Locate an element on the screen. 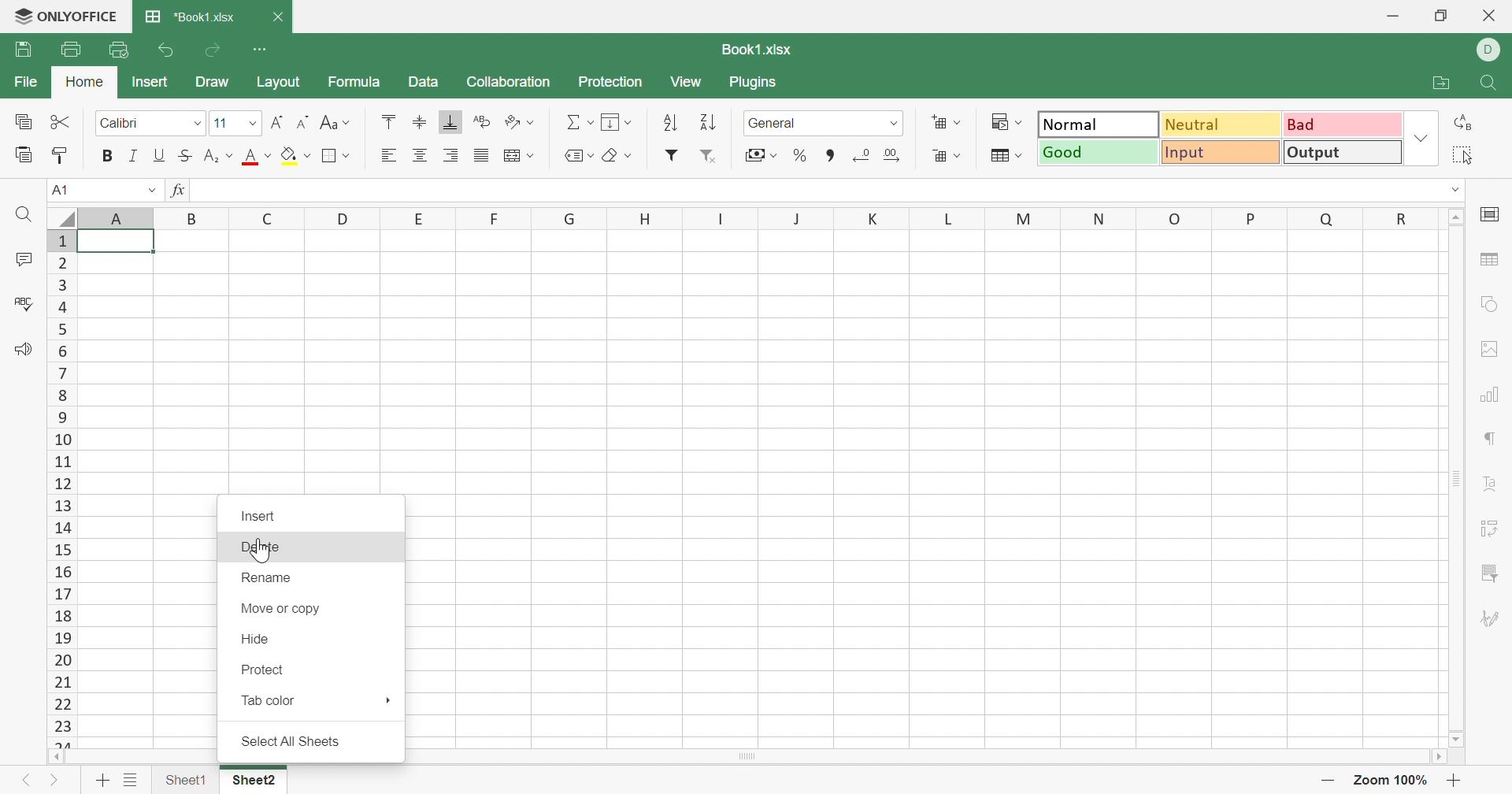 This screenshot has height=794, width=1512. Insert is located at coordinates (149, 80).